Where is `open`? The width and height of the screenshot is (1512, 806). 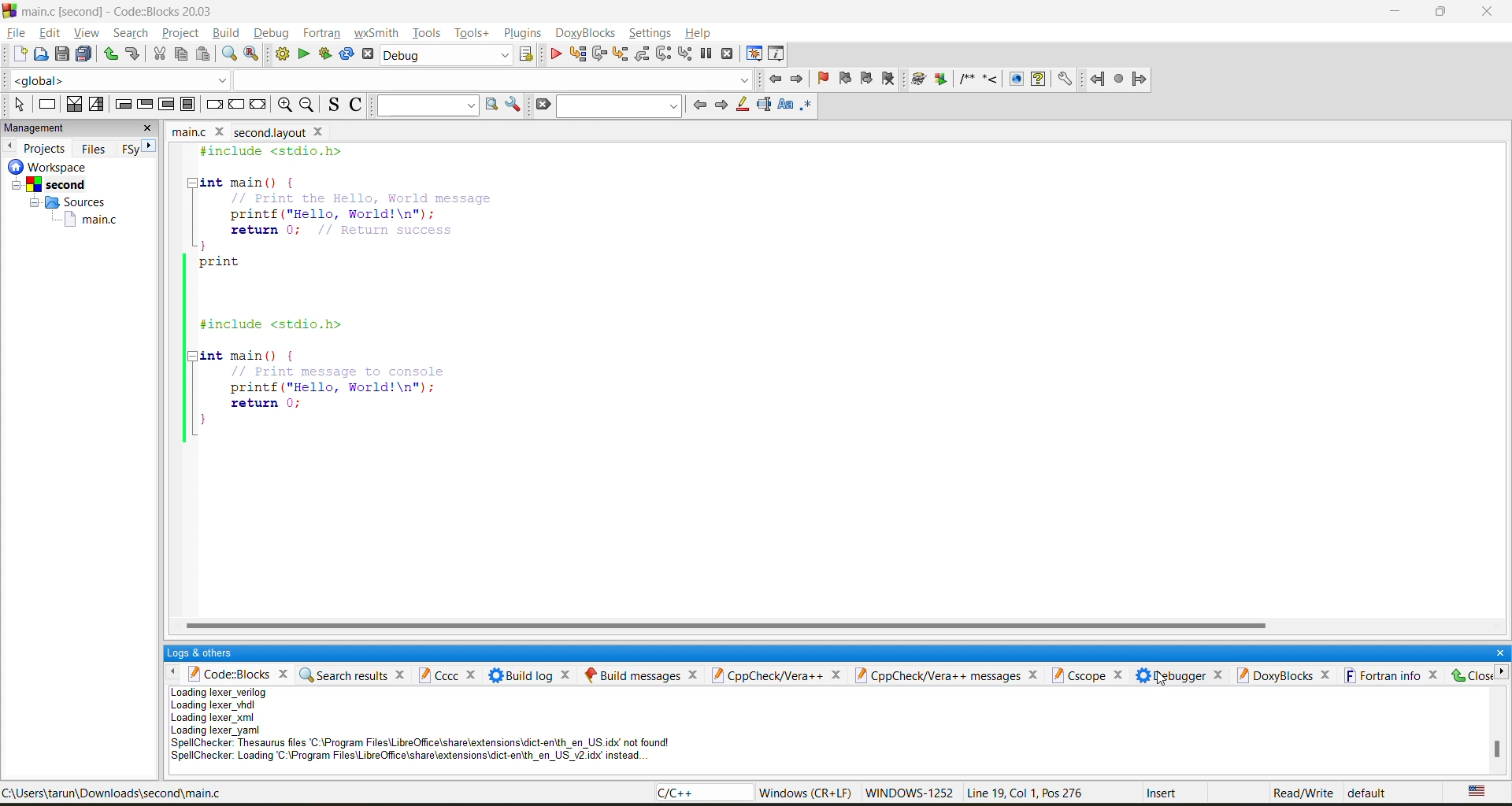
open is located at coordinates (40, 54).